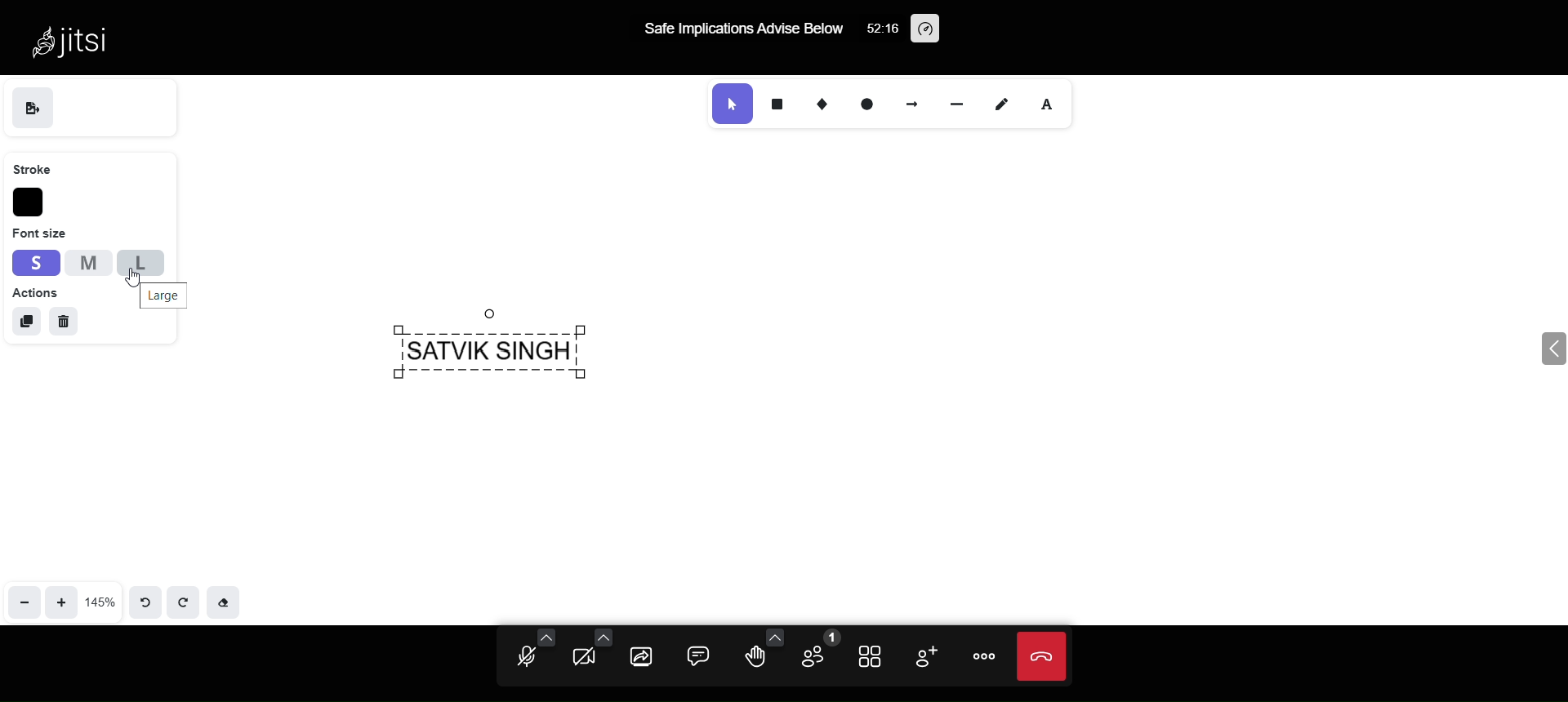 This screenshot has height=702, width=1568. Describe the element at coordinates (40, 233) in the screenshot. I see `font size` at that location.